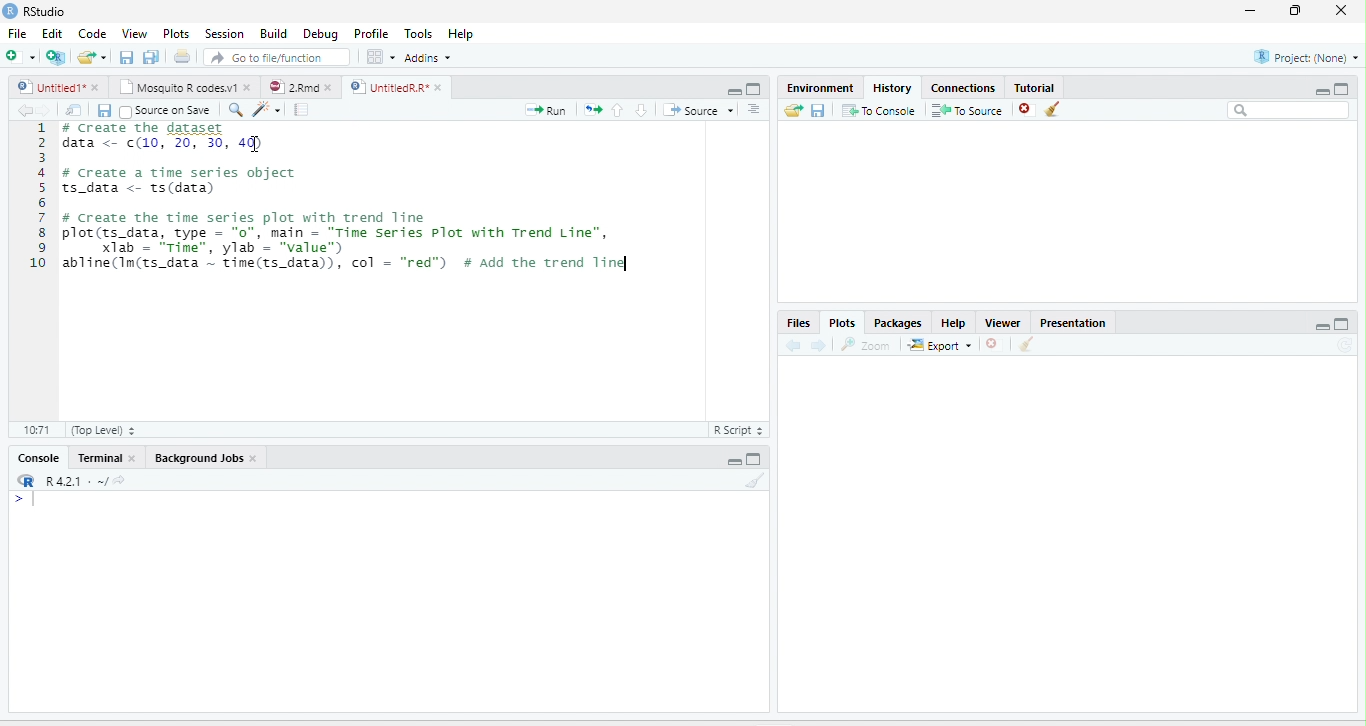 The image size is (1366, 726). Describe the element at coordinates (197, 458) in the screenshot. I see `Background Jobs` at that location.